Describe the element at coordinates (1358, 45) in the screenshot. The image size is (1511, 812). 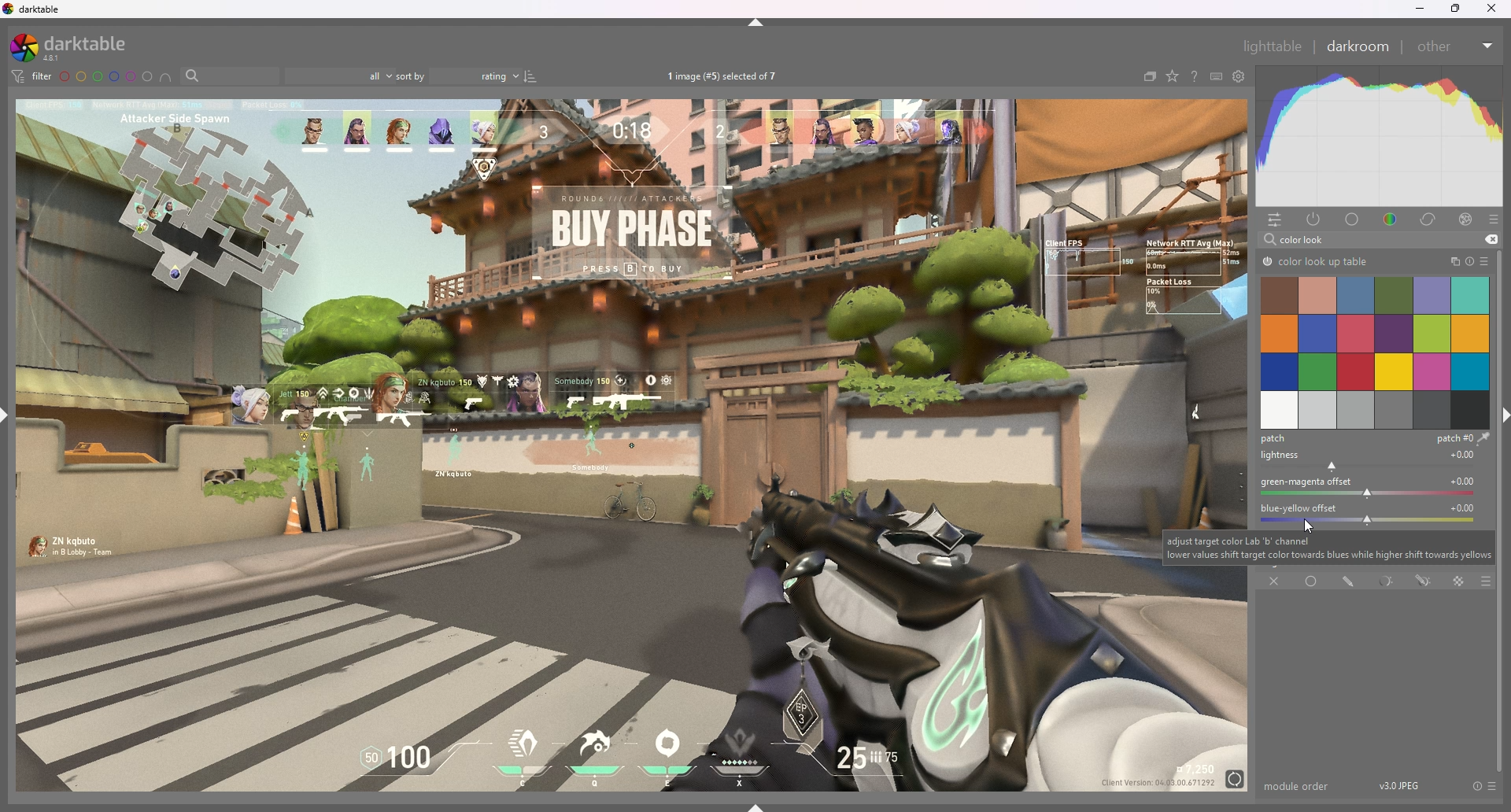
I see `darkroom` at that location.